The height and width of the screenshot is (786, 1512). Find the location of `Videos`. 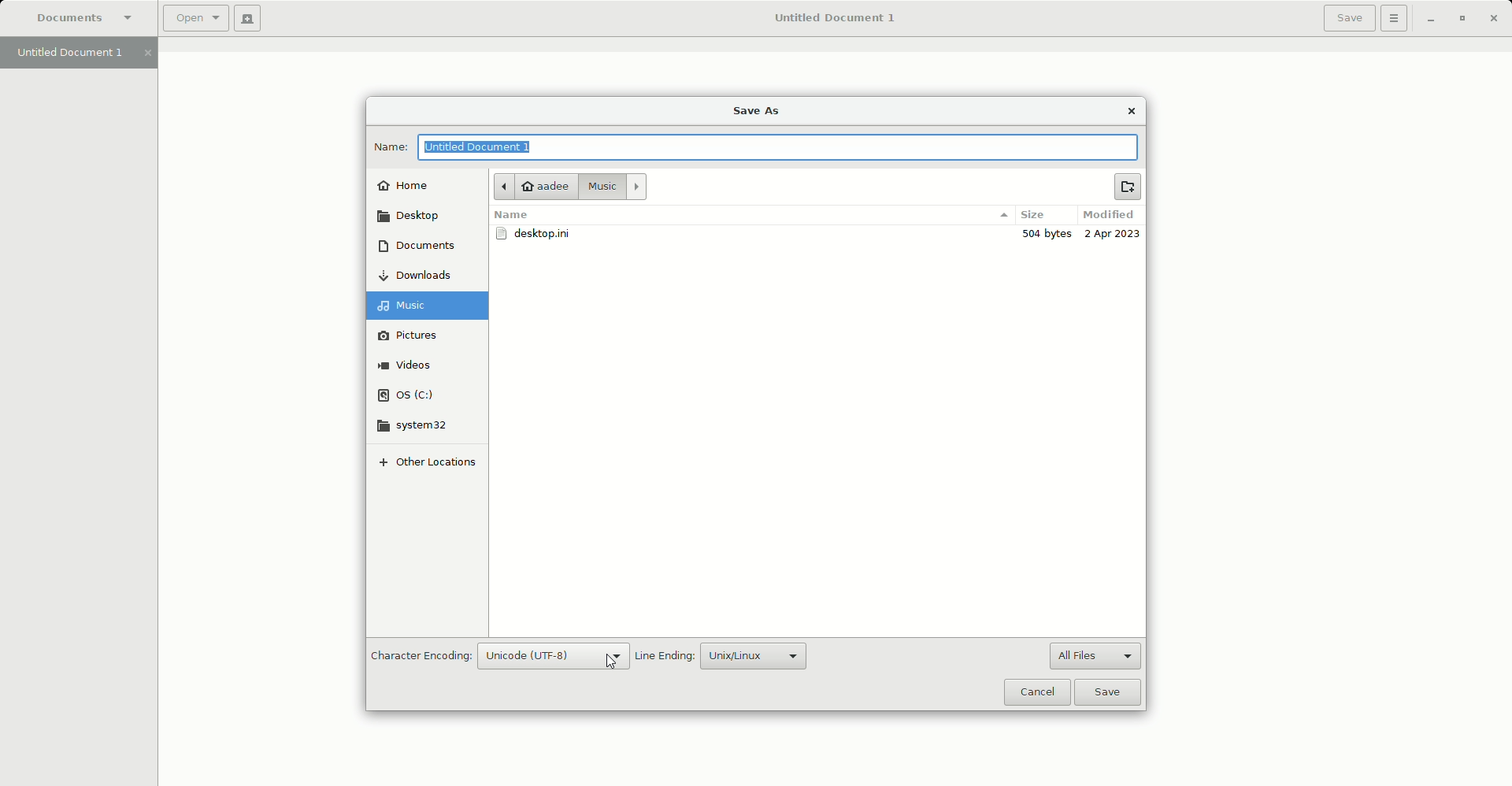

Videos is located at coordinates (428, 366).